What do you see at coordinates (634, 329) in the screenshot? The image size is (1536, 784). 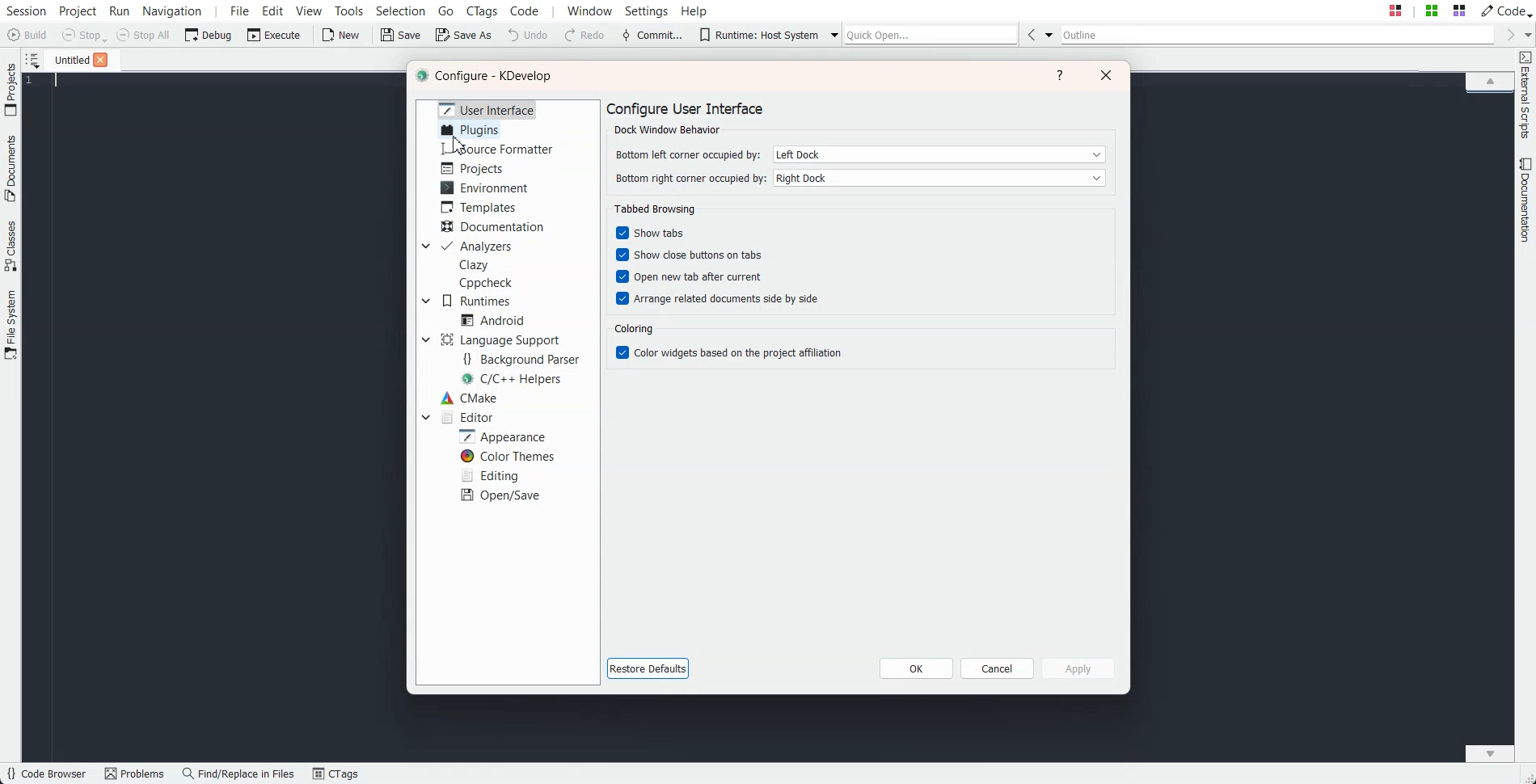 I see `Text` at bounding box center [634, 329].